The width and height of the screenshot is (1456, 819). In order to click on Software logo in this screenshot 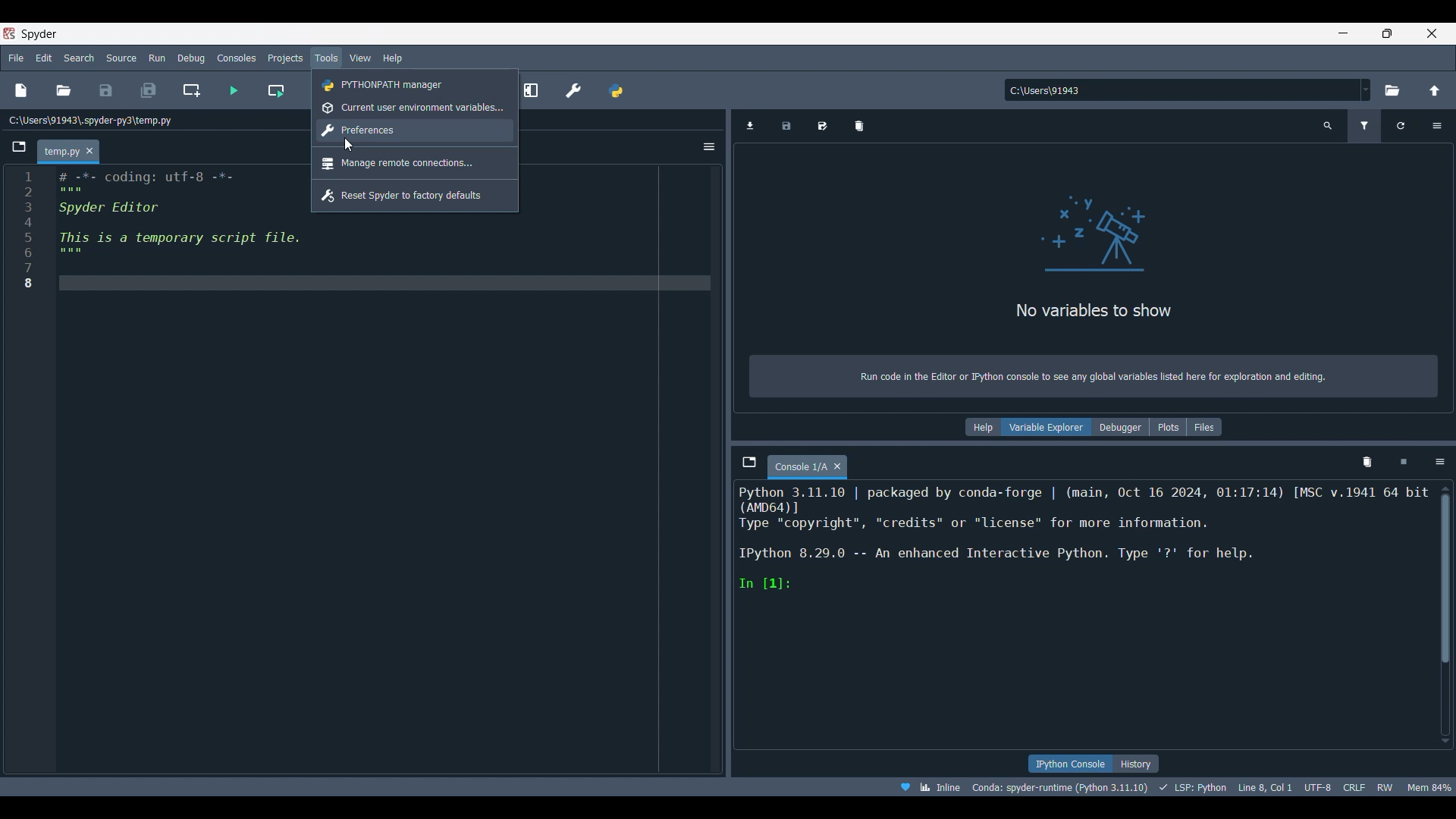, I will do `click(9, 33)`.